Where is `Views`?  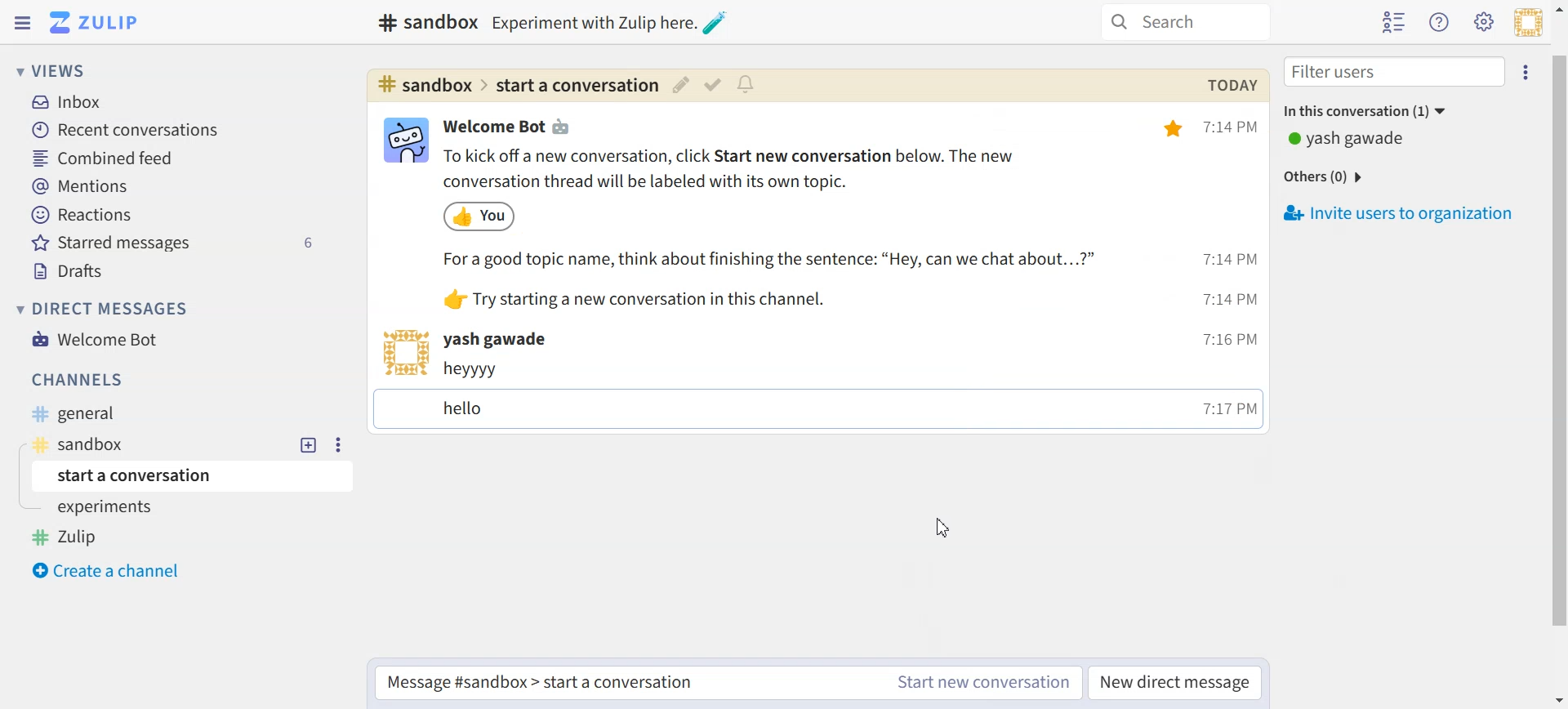
Views is located at coordinates (56, 70).